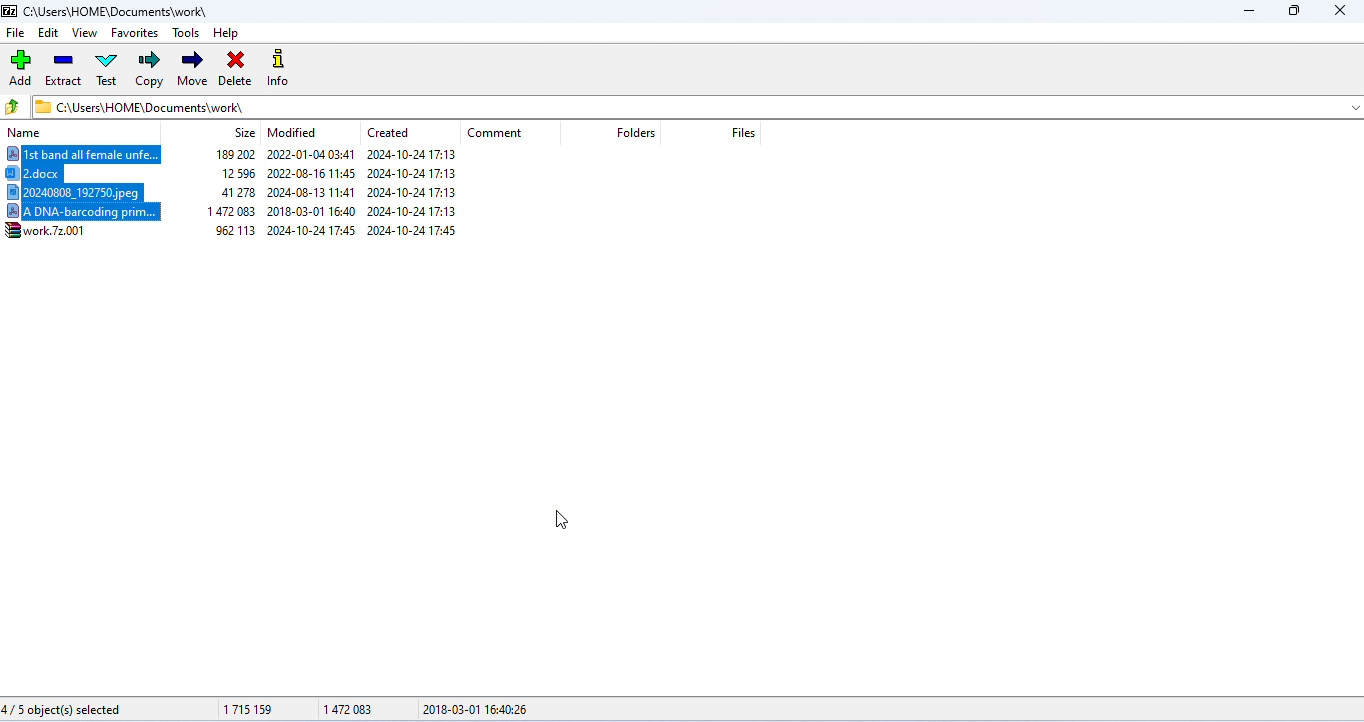 The height and width of the screenshot is (722, 1364). What do you see at coordinates (26, 134) in the screenshot?
I see `name` at bounding box center [26, 134].